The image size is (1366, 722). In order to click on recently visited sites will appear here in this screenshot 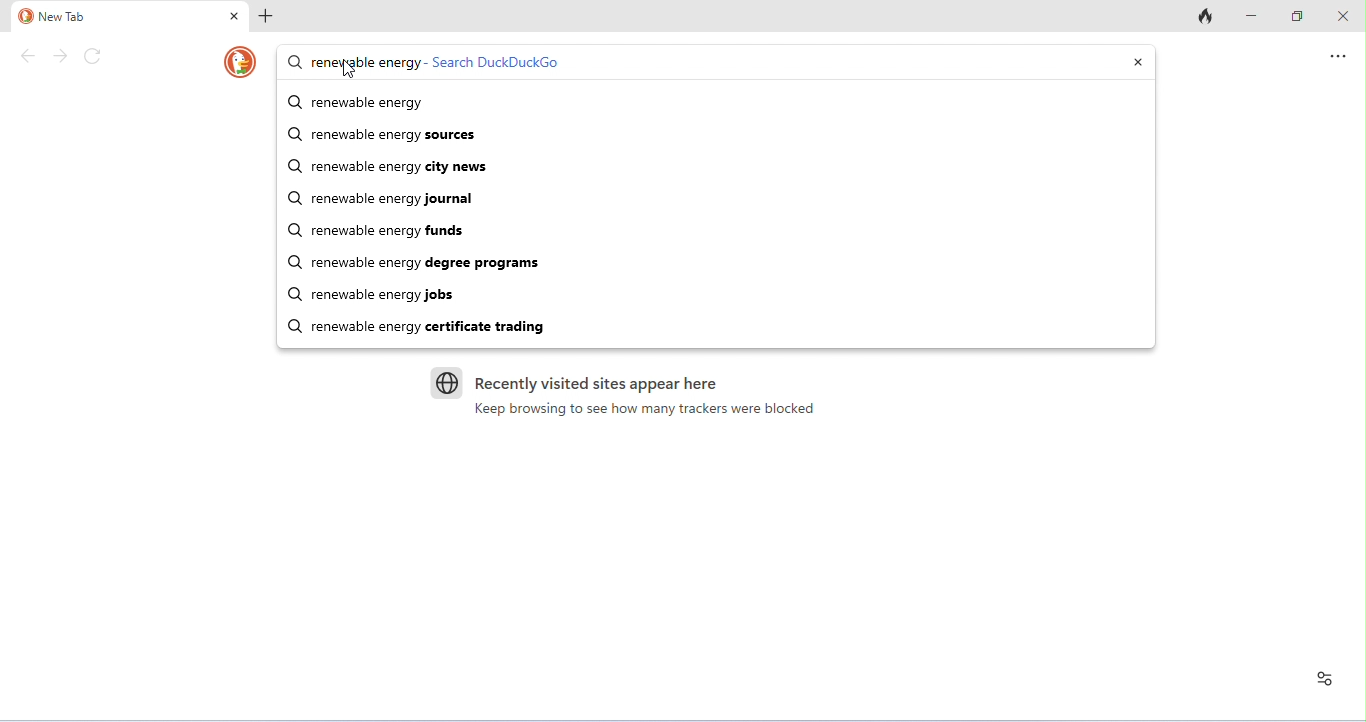, I will do `click(597, 384)`.